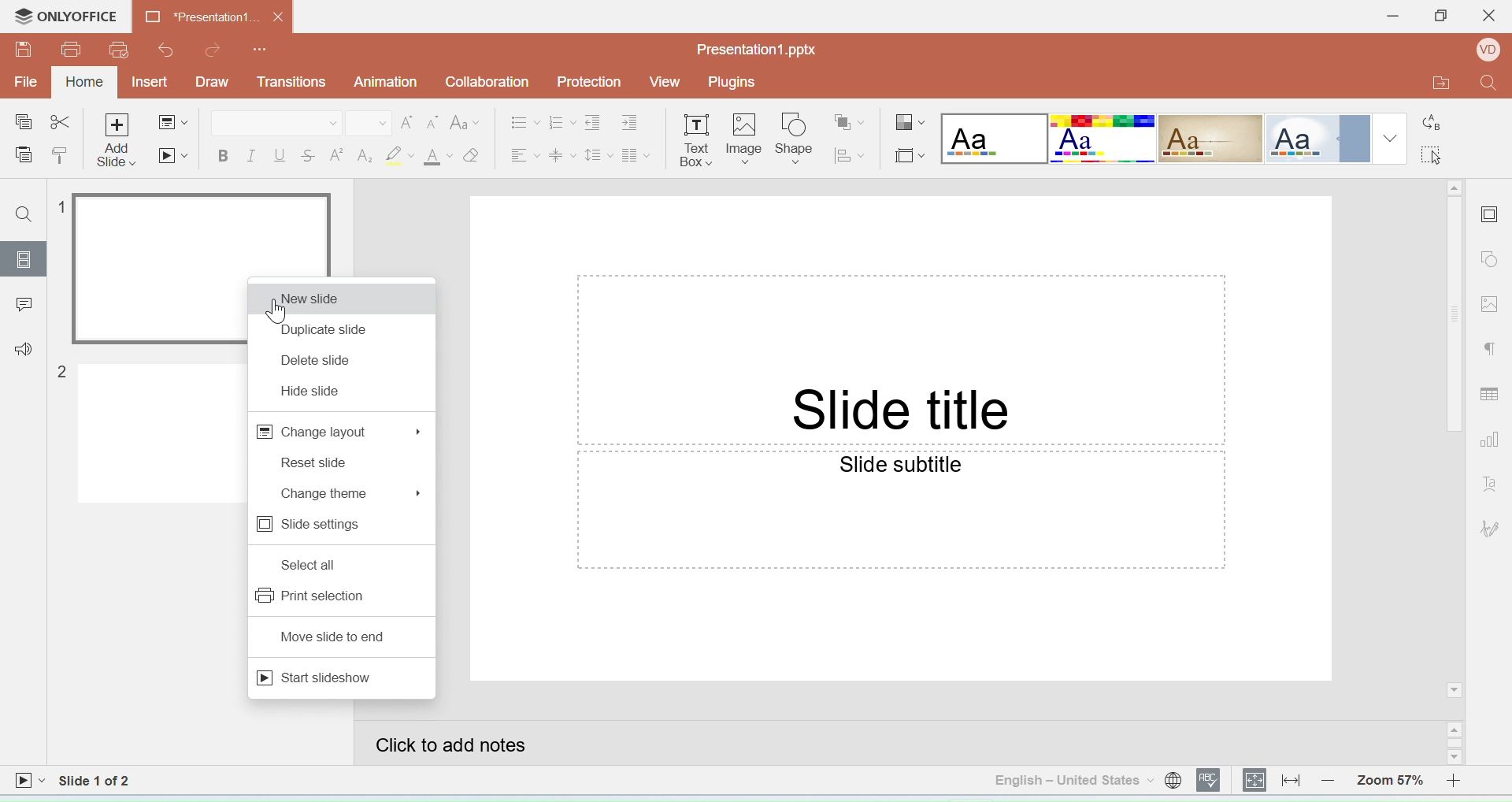 Image resolution: width=1512 pixels, height=802 pixels. Describe the element at coordinates (902, 463) in the screenshot. I see `Slide subtitle` at that location.